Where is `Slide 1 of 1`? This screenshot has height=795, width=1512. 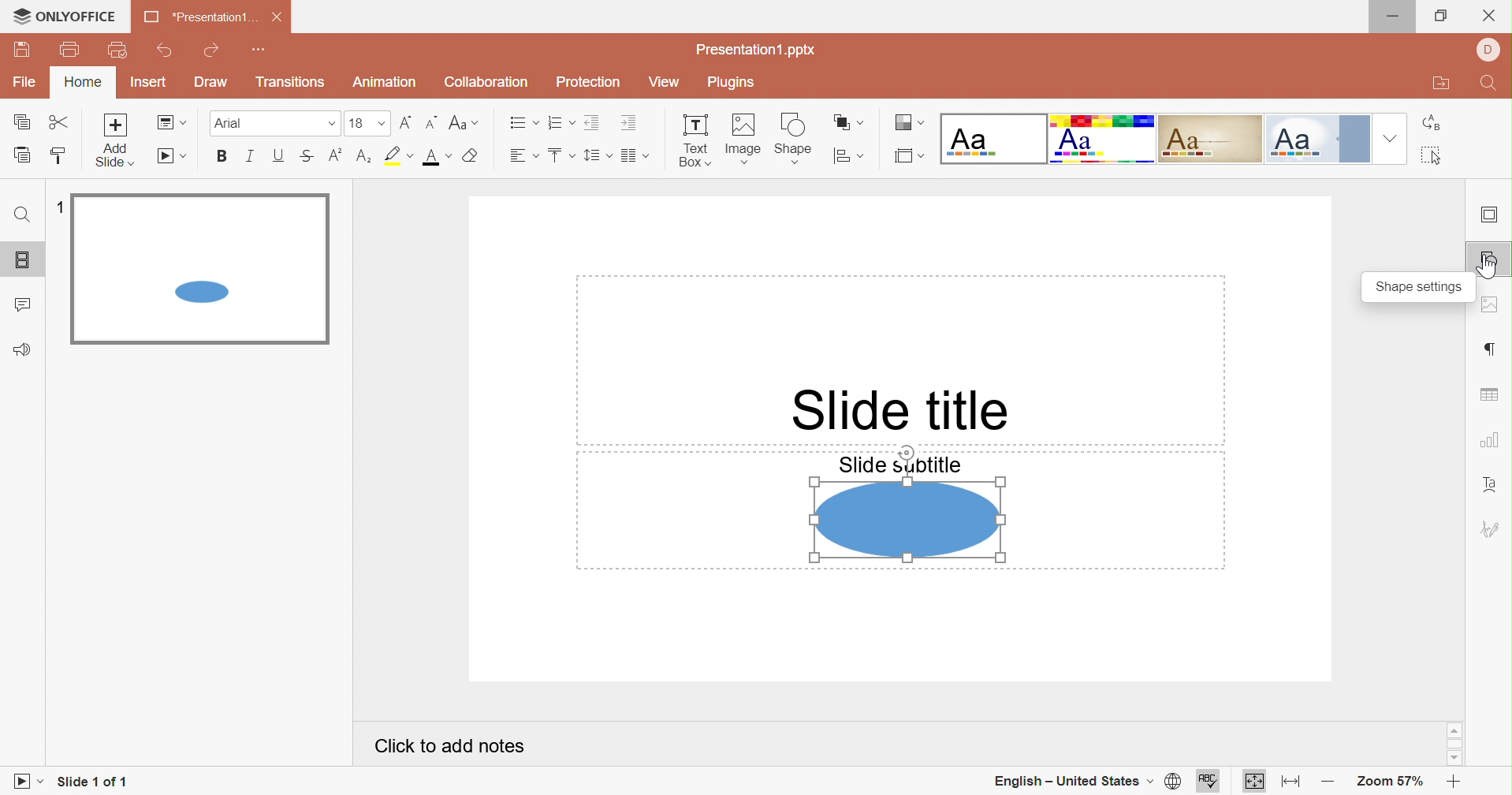 Slide 1 of 1 is located at coordinates (91, 780).